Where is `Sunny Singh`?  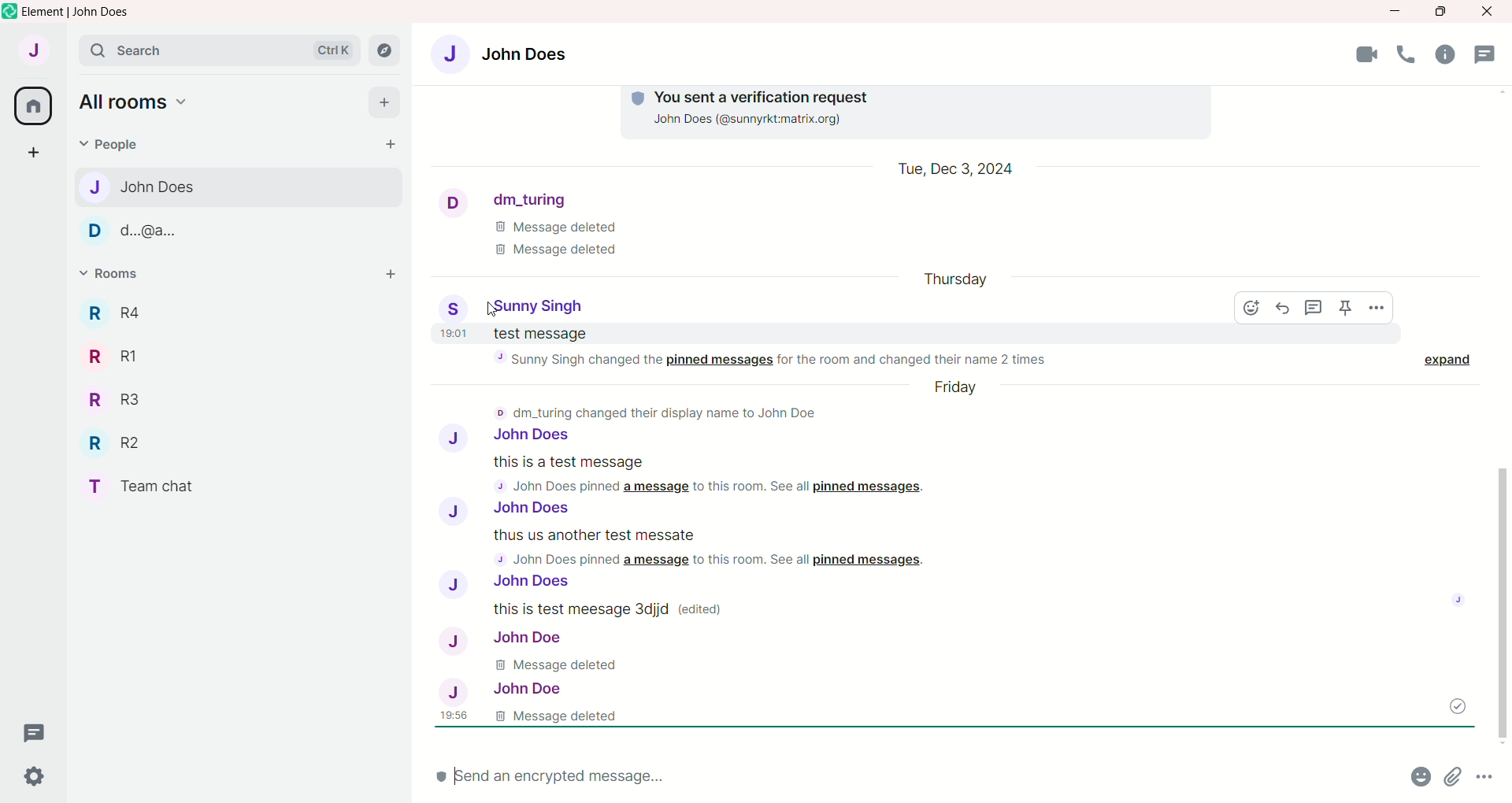
Sunny Singh is located at coordinates (523, 305).